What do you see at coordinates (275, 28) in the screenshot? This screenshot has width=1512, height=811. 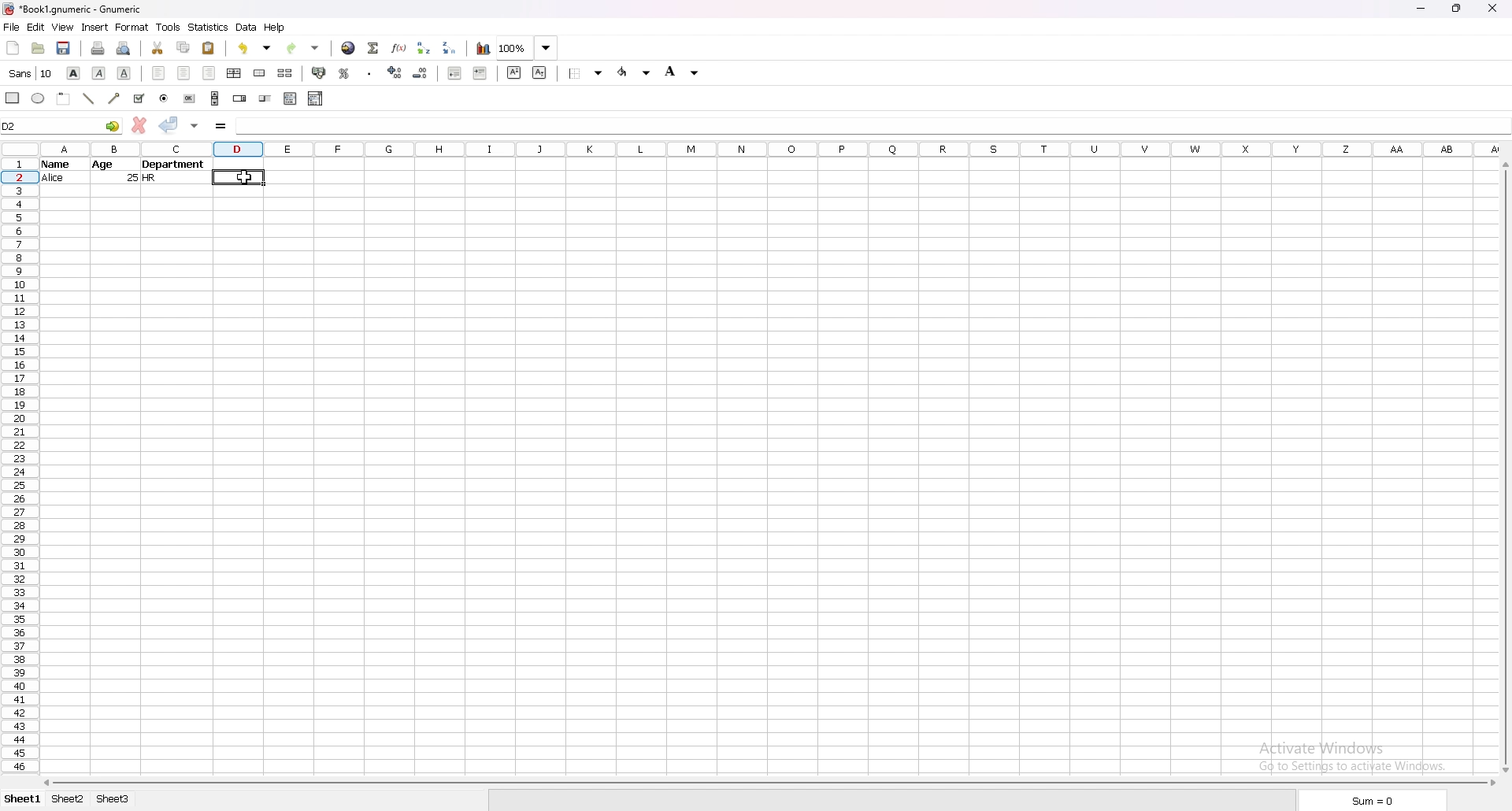 I see `help` at bounding box center [275, 28].